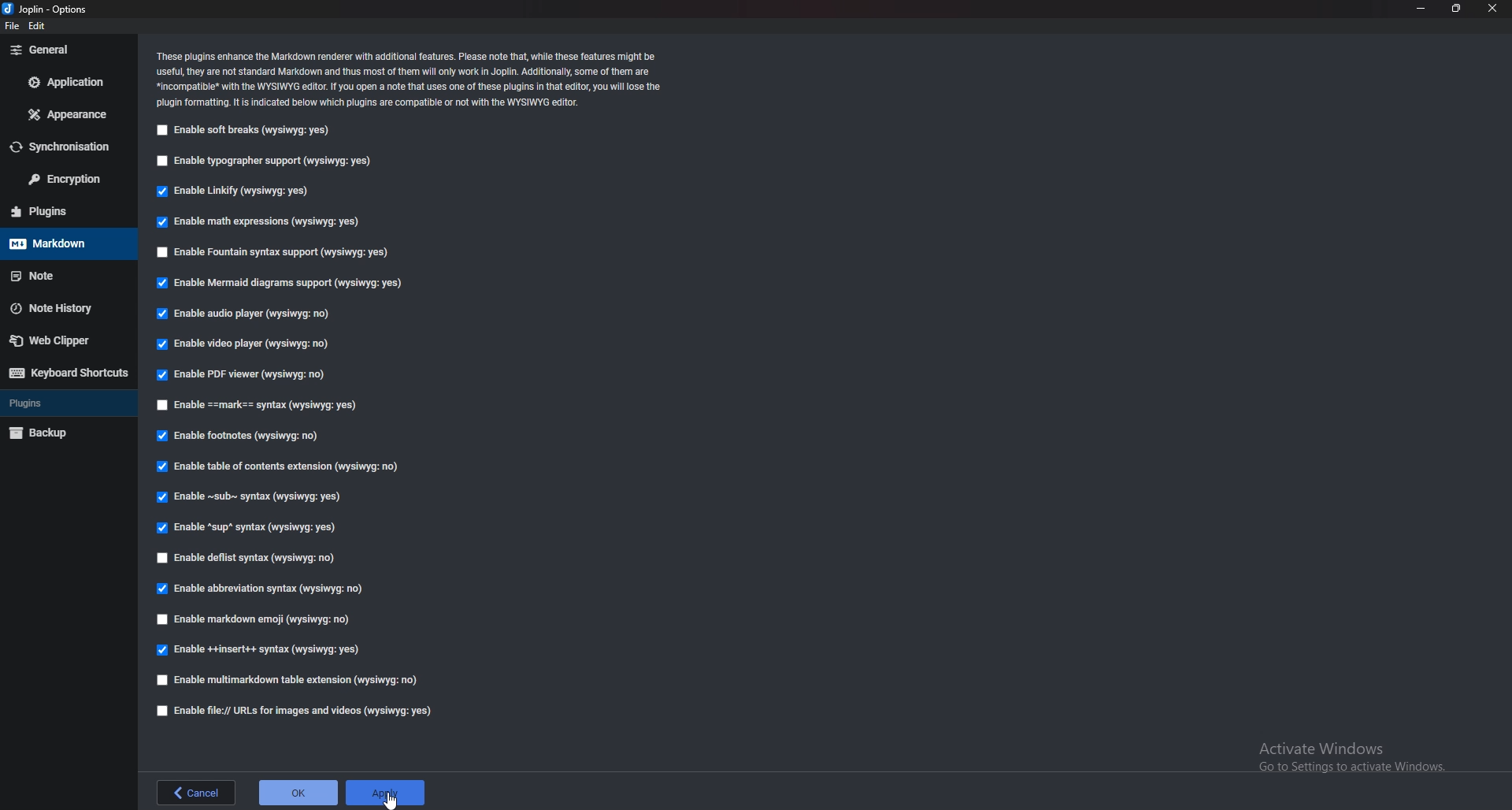 Image resolution: width=1512 pixels, height=810 pixels. Describe the element at coordinates (70, 180) in the screenshot. I see `Encryption` at that location.